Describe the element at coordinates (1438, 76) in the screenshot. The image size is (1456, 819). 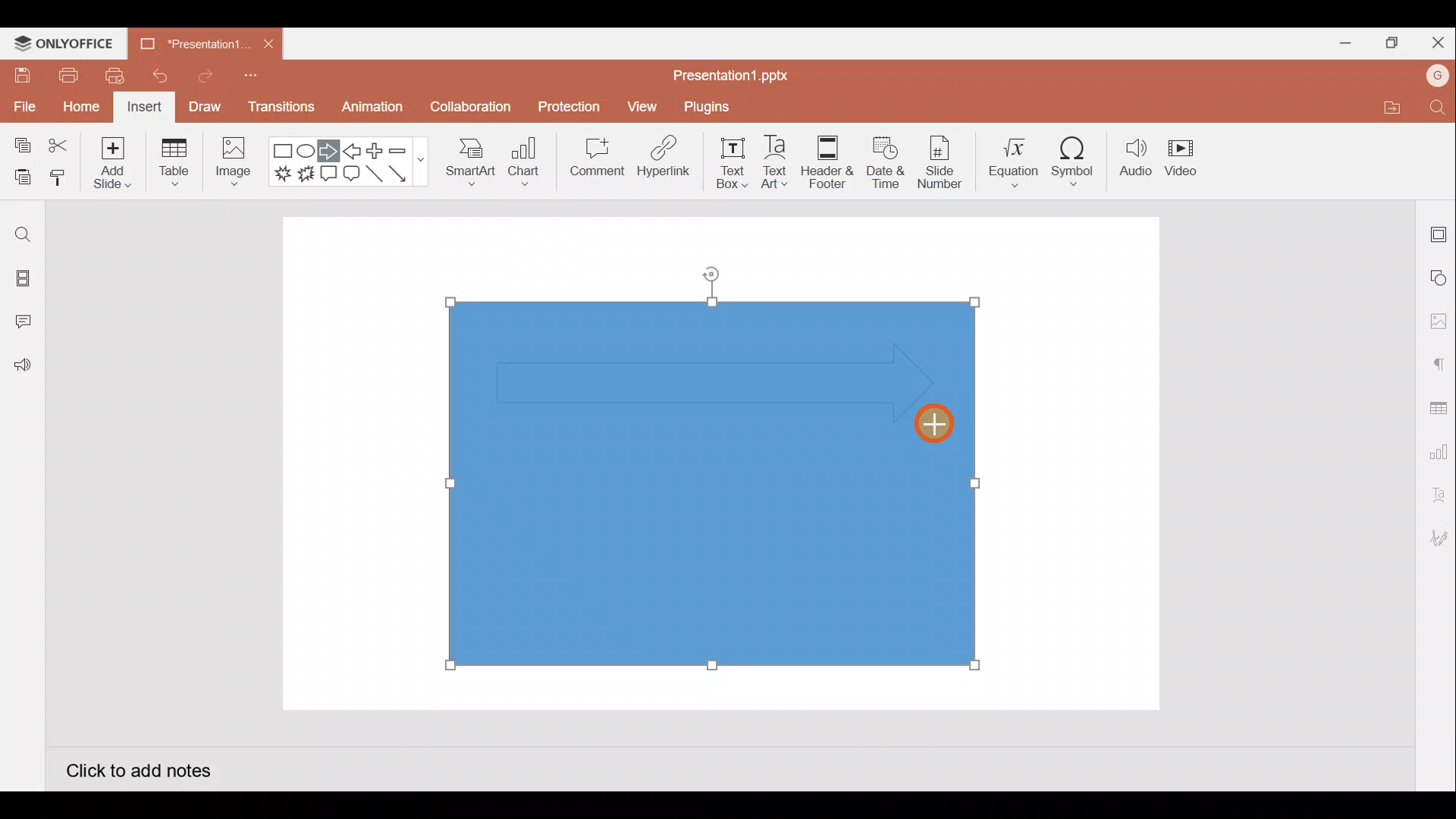
I see `Account name` at that location.